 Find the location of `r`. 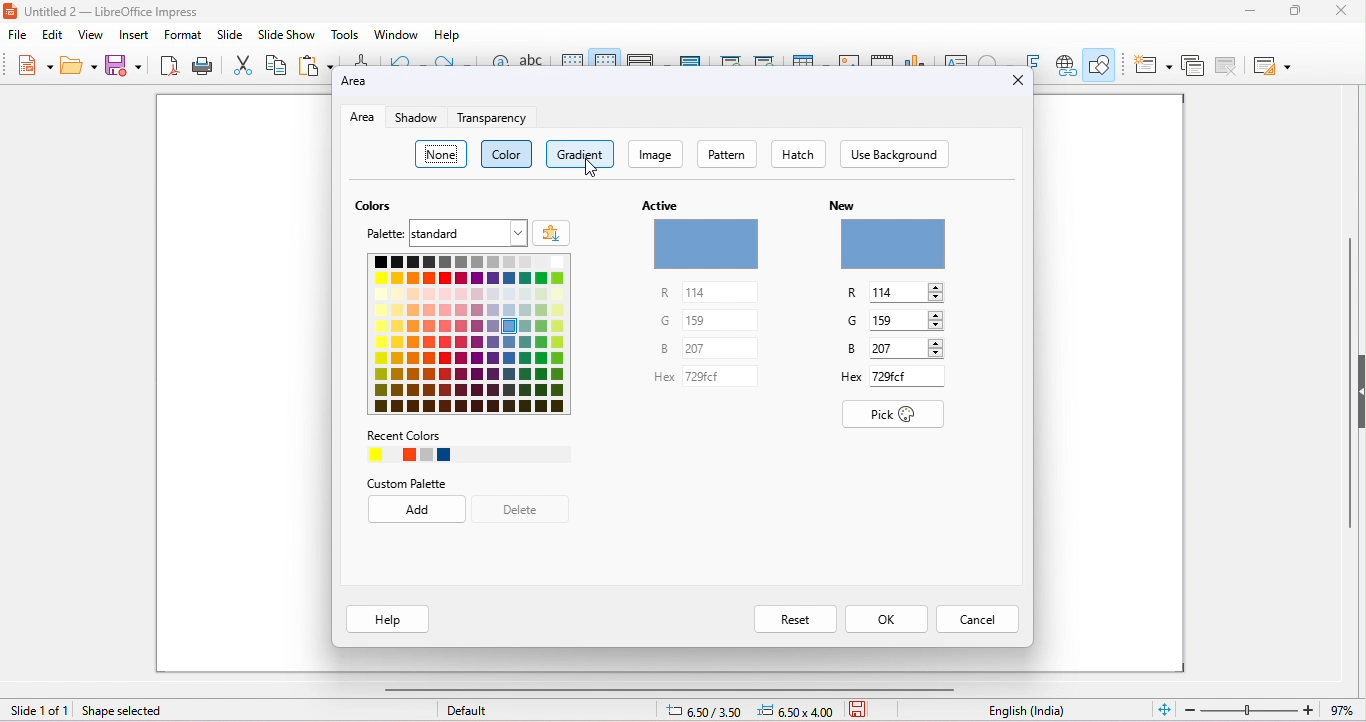

r is located at coordinates (857, 292).